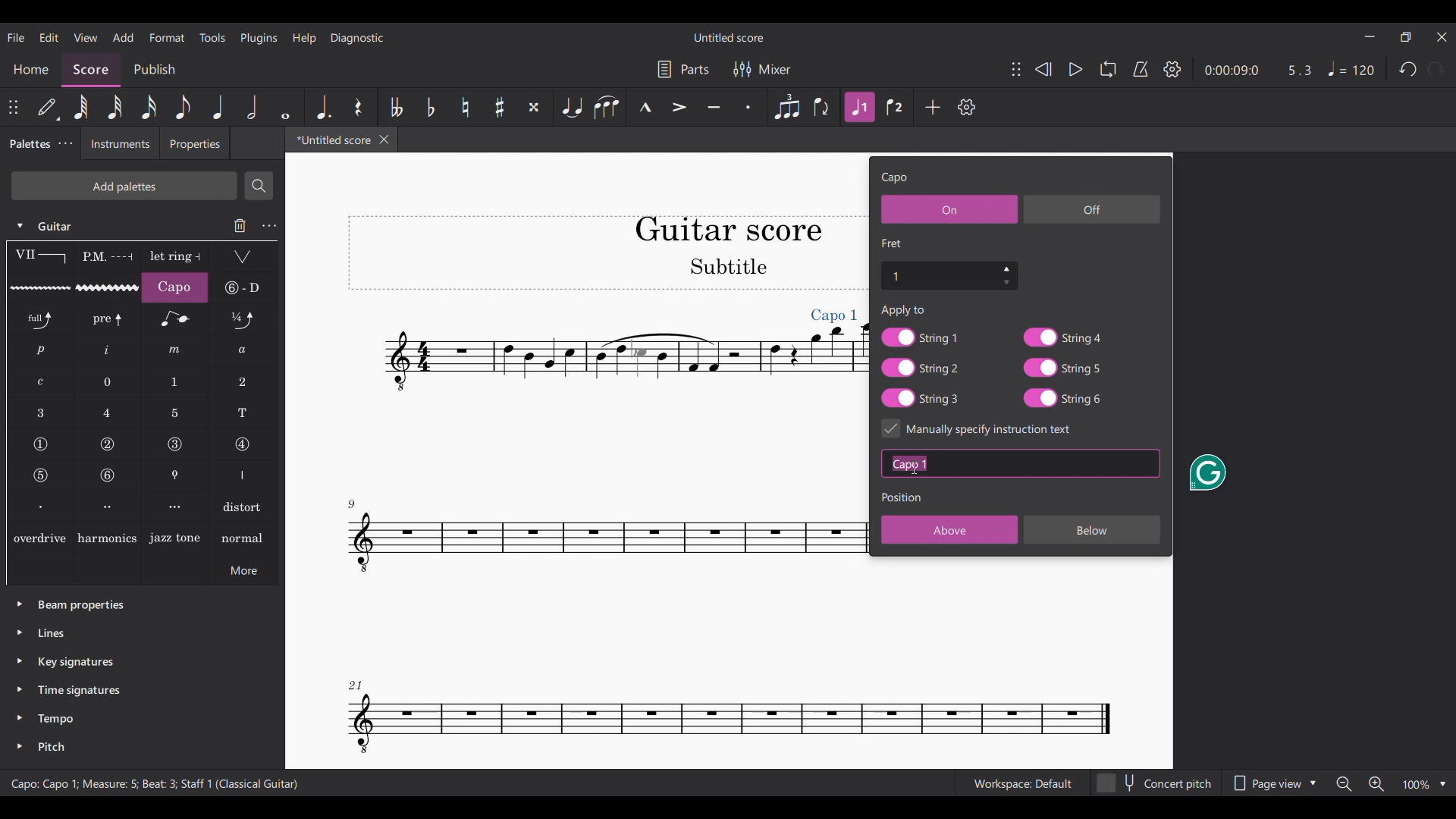  Describe the element at coordinates (20, 746) in the screenshot. I see `Click to expand pitch palette` at that location.